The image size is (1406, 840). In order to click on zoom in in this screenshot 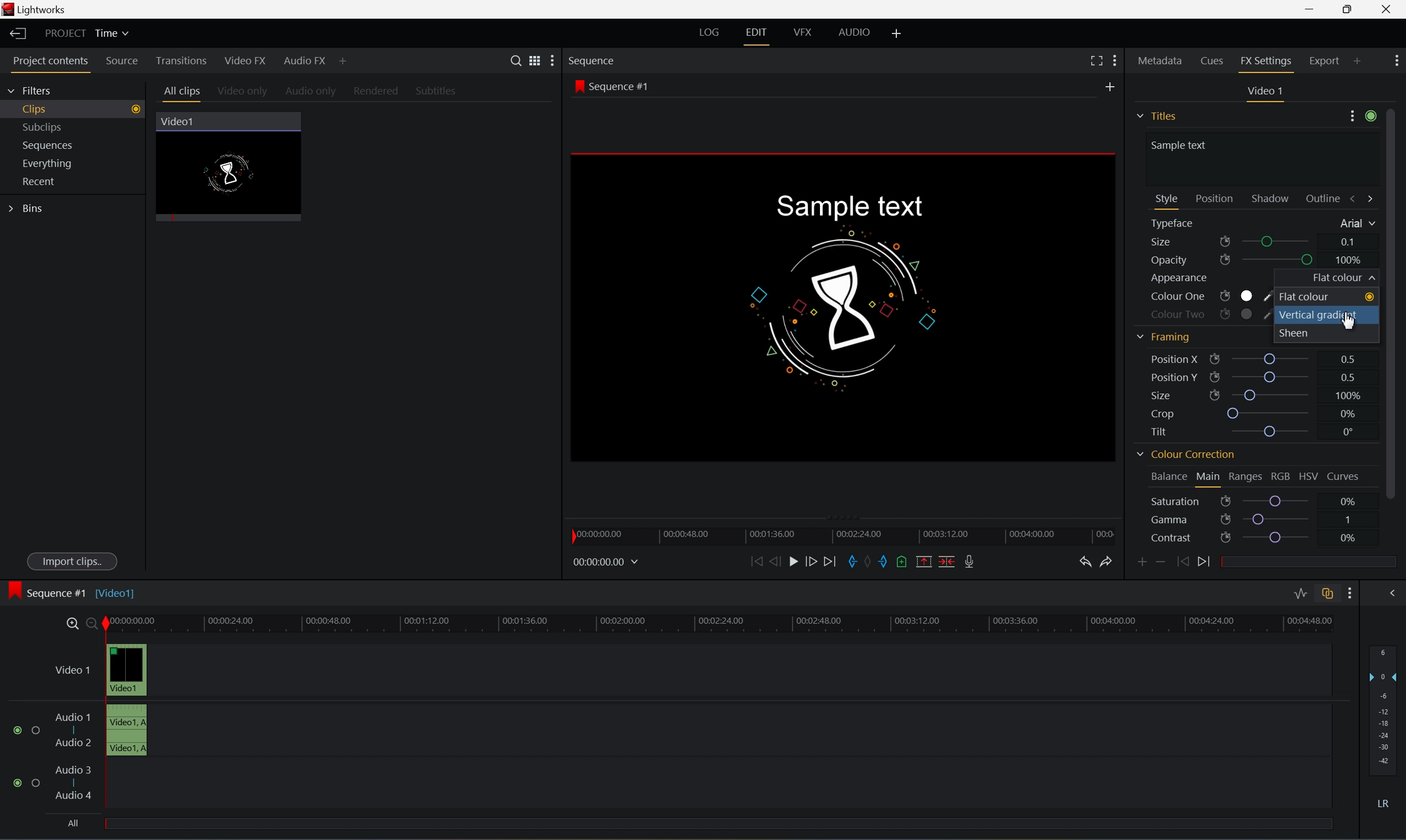, I will do `click(71, 623)`.